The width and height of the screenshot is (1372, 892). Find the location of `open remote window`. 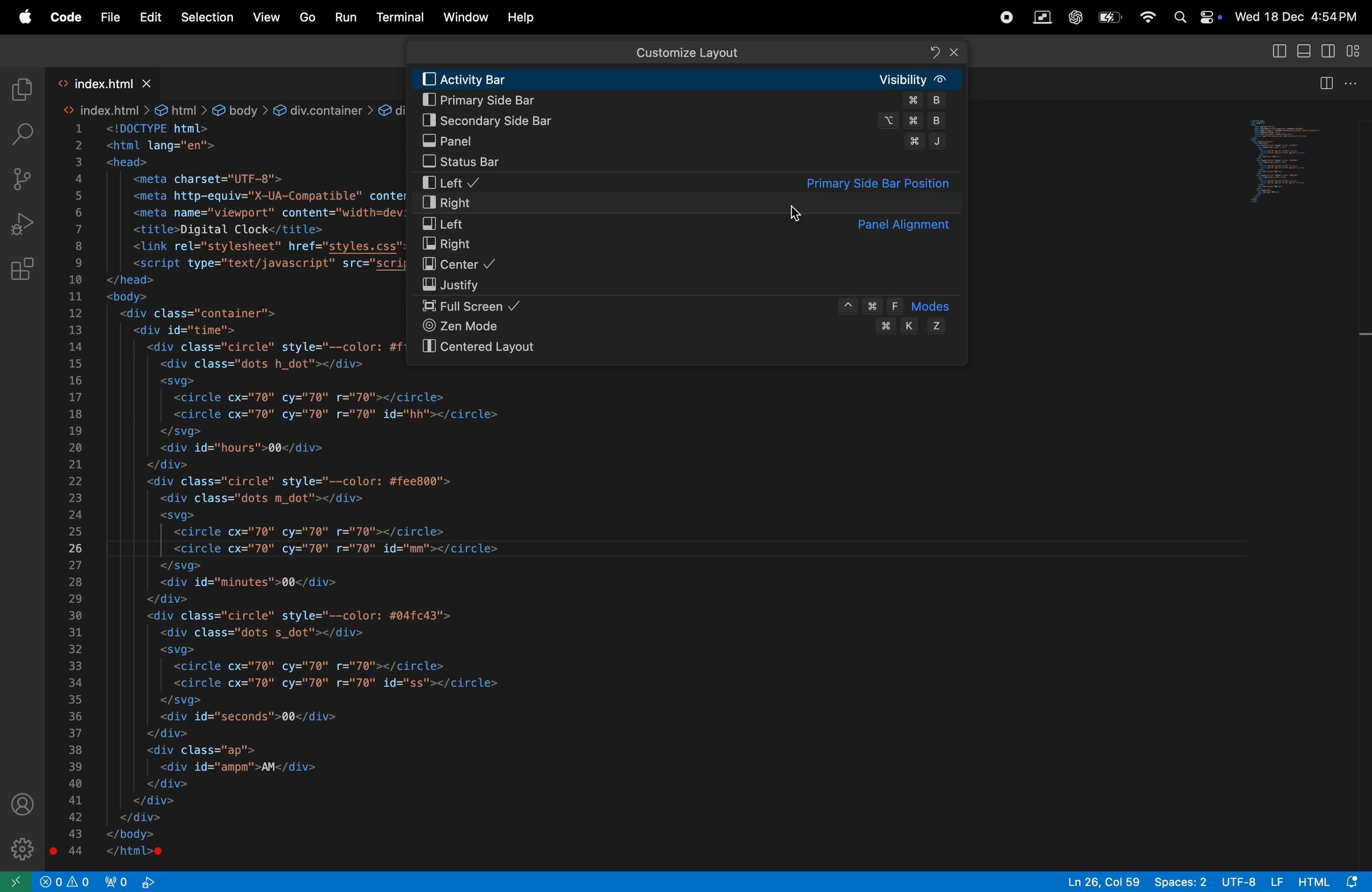

open remote window is located at coordinates (19, 883).